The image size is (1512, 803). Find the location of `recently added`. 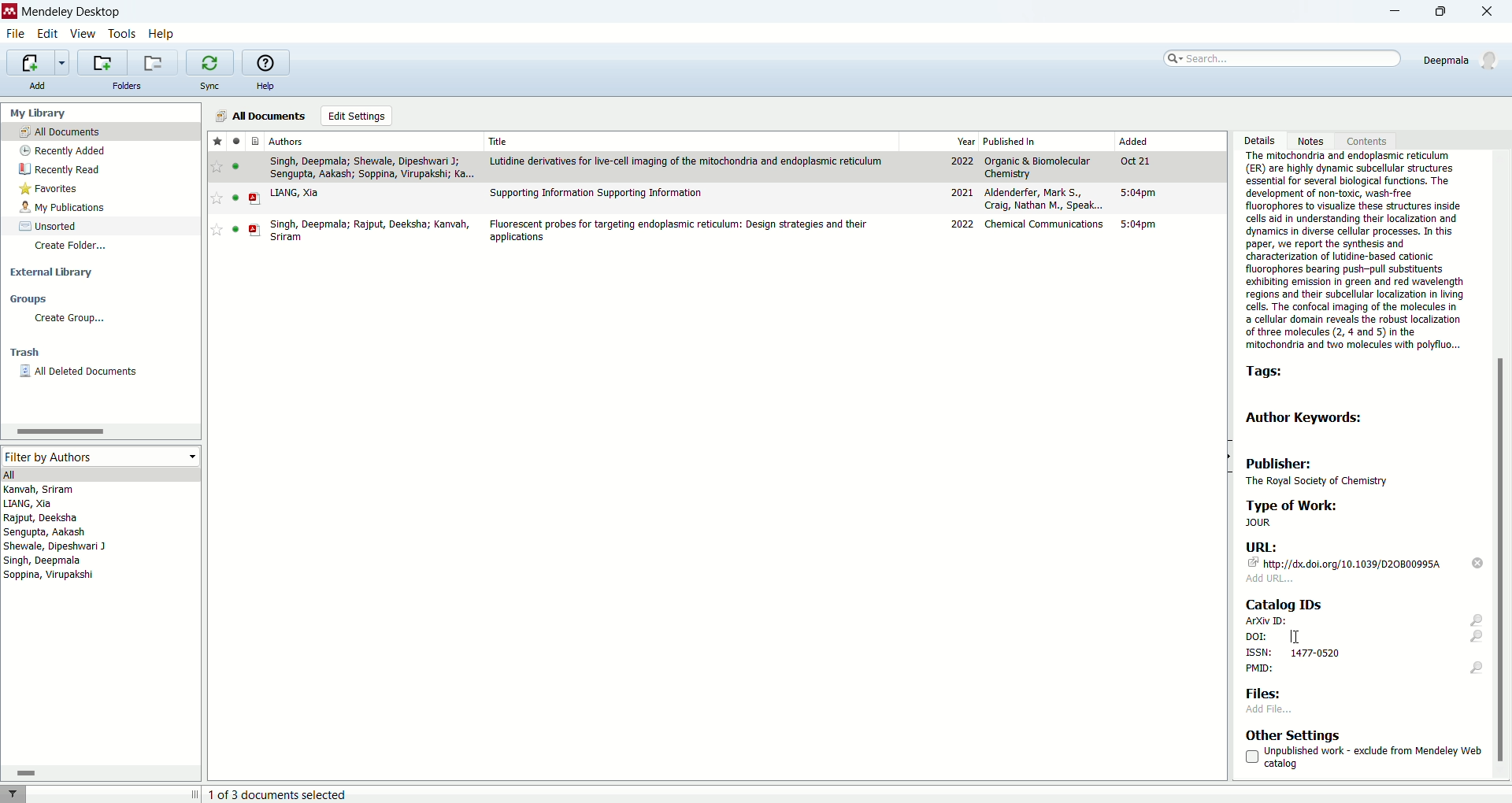

recently added is located at coordinates (61, 150).